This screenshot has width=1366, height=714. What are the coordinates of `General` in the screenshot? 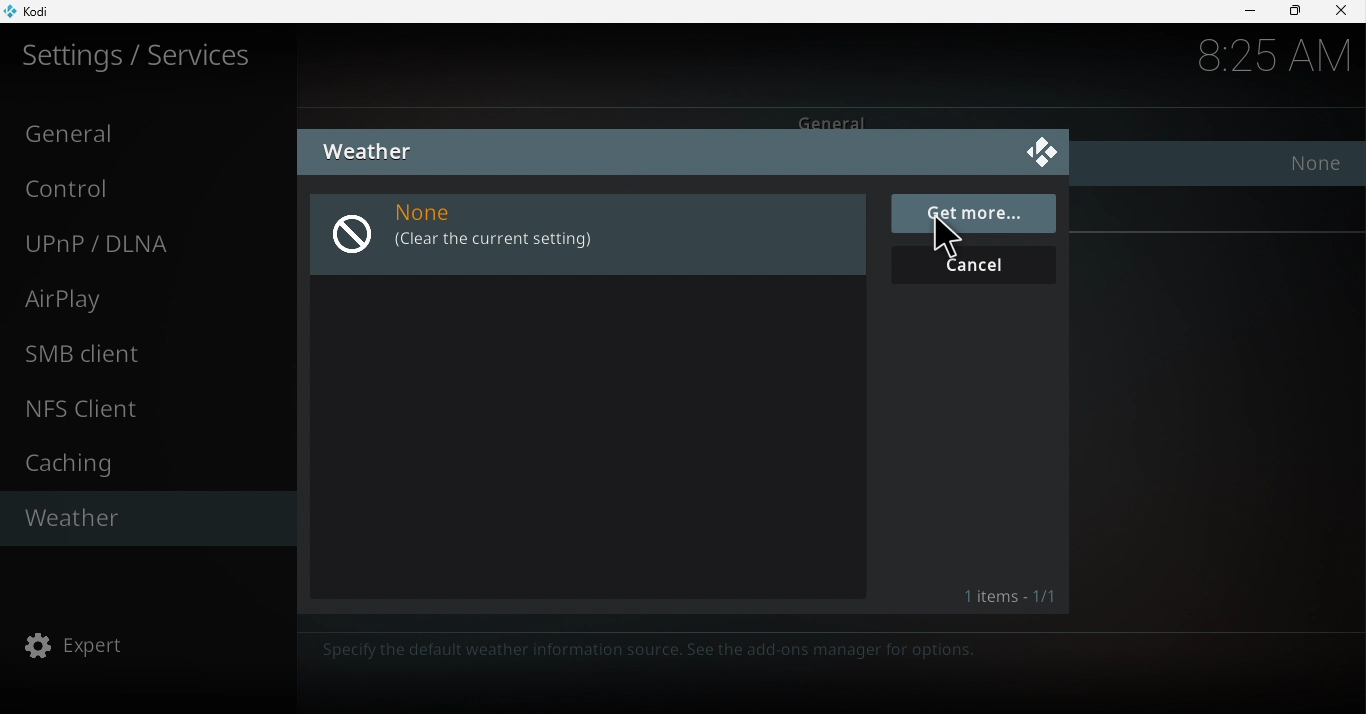 It's located at (146, 131).